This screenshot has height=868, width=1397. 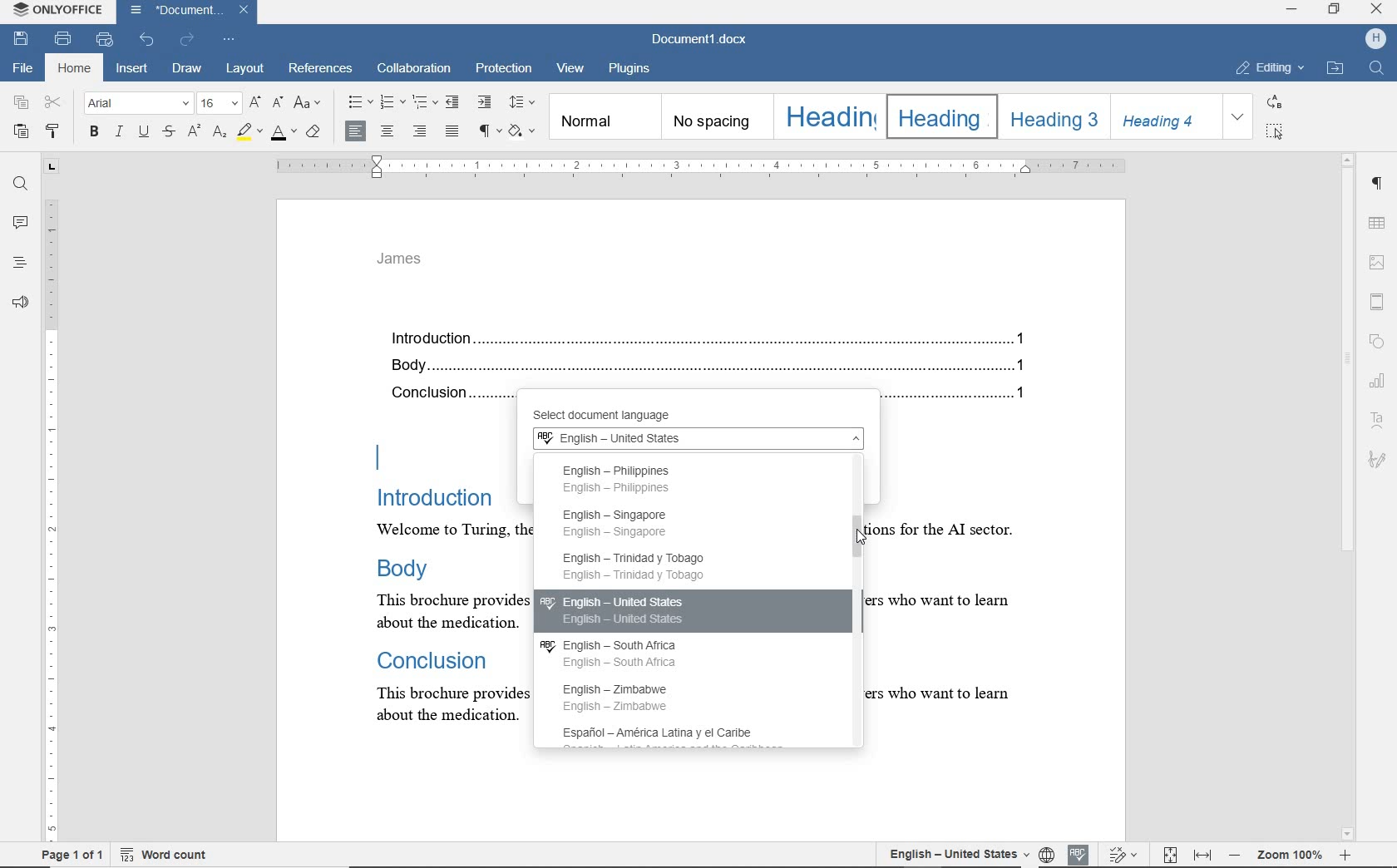 What do you see at coordinates (1376, 458) in the screenshot?
I see `signature` at bounding box center [1376, 458].